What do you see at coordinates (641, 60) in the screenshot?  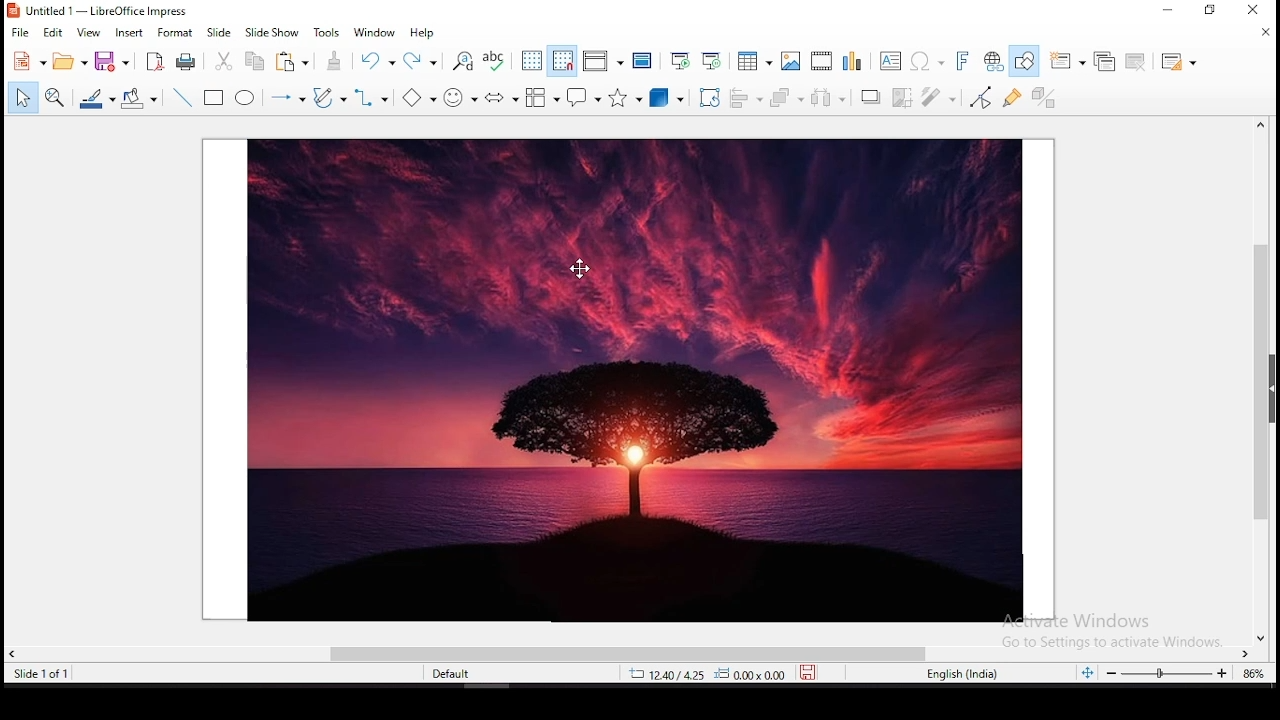 I see `master slide` at bounding box center [641, 60].